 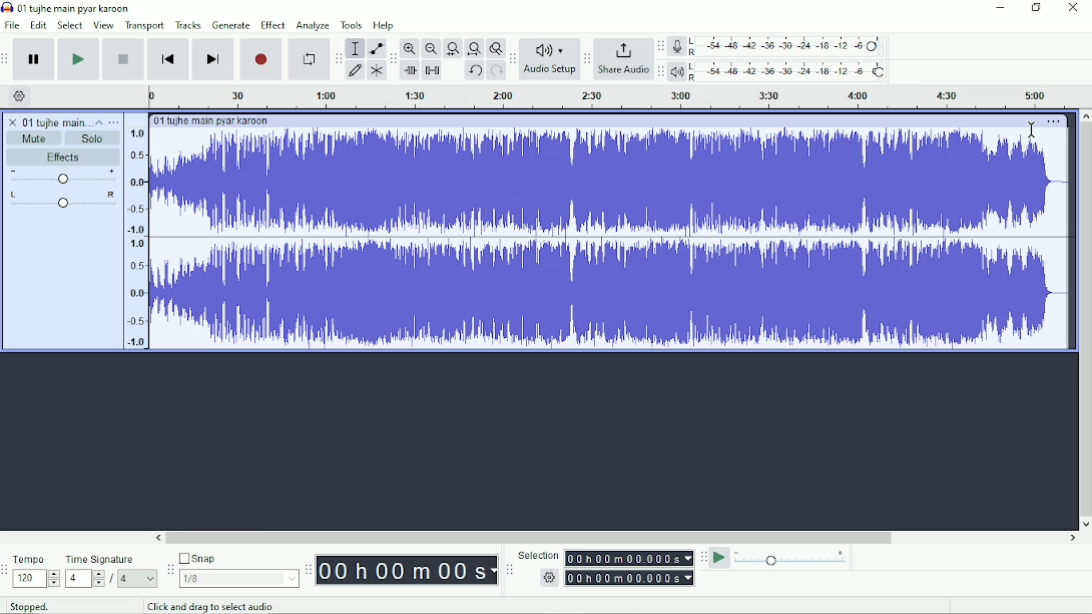 What do you see at coordinates (512, 59) in the screenshot?
I see `Audacity audio setup toolbar` at bounding box center [512, 59].